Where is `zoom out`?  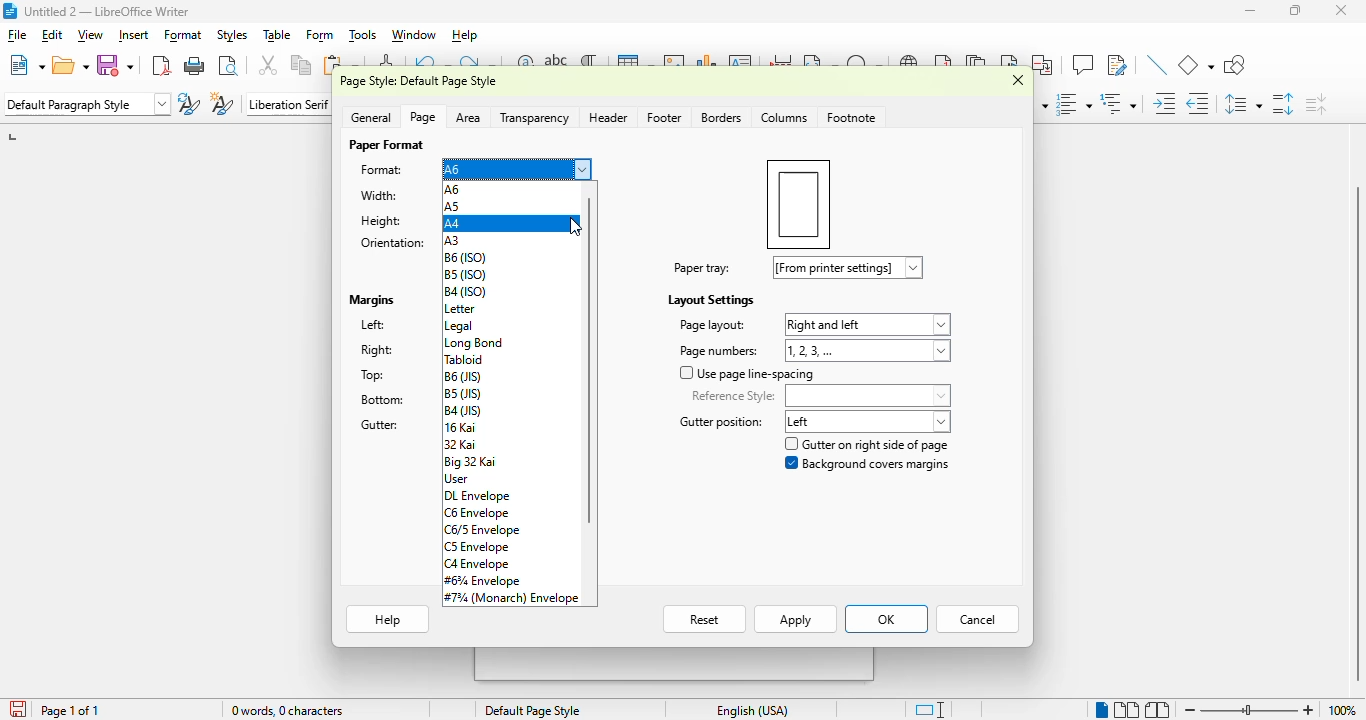 zoom out is located at coordinates (1191, 710).